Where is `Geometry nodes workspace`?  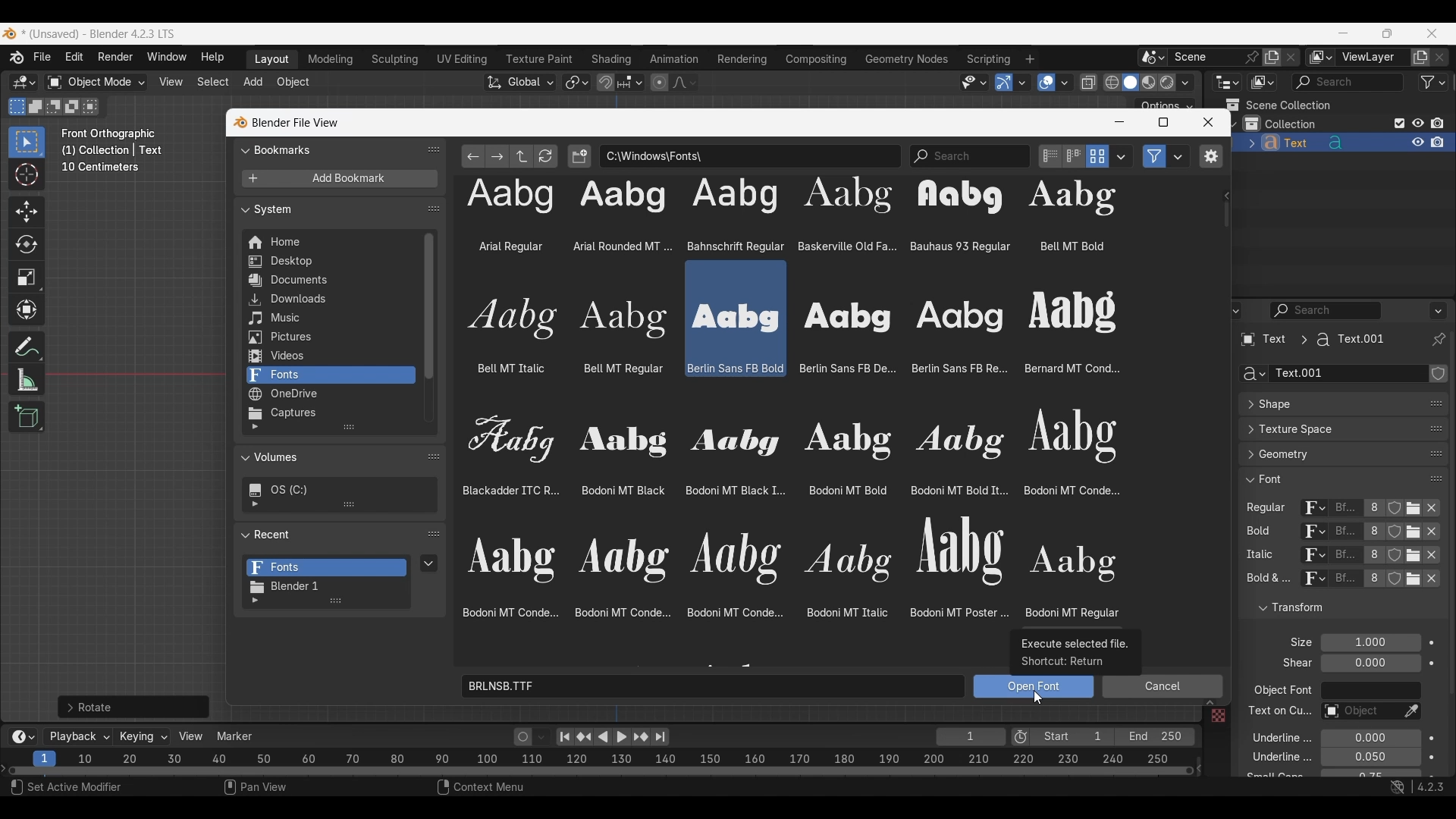 Geometry nodes workspace is located at coordinates (906, 58).